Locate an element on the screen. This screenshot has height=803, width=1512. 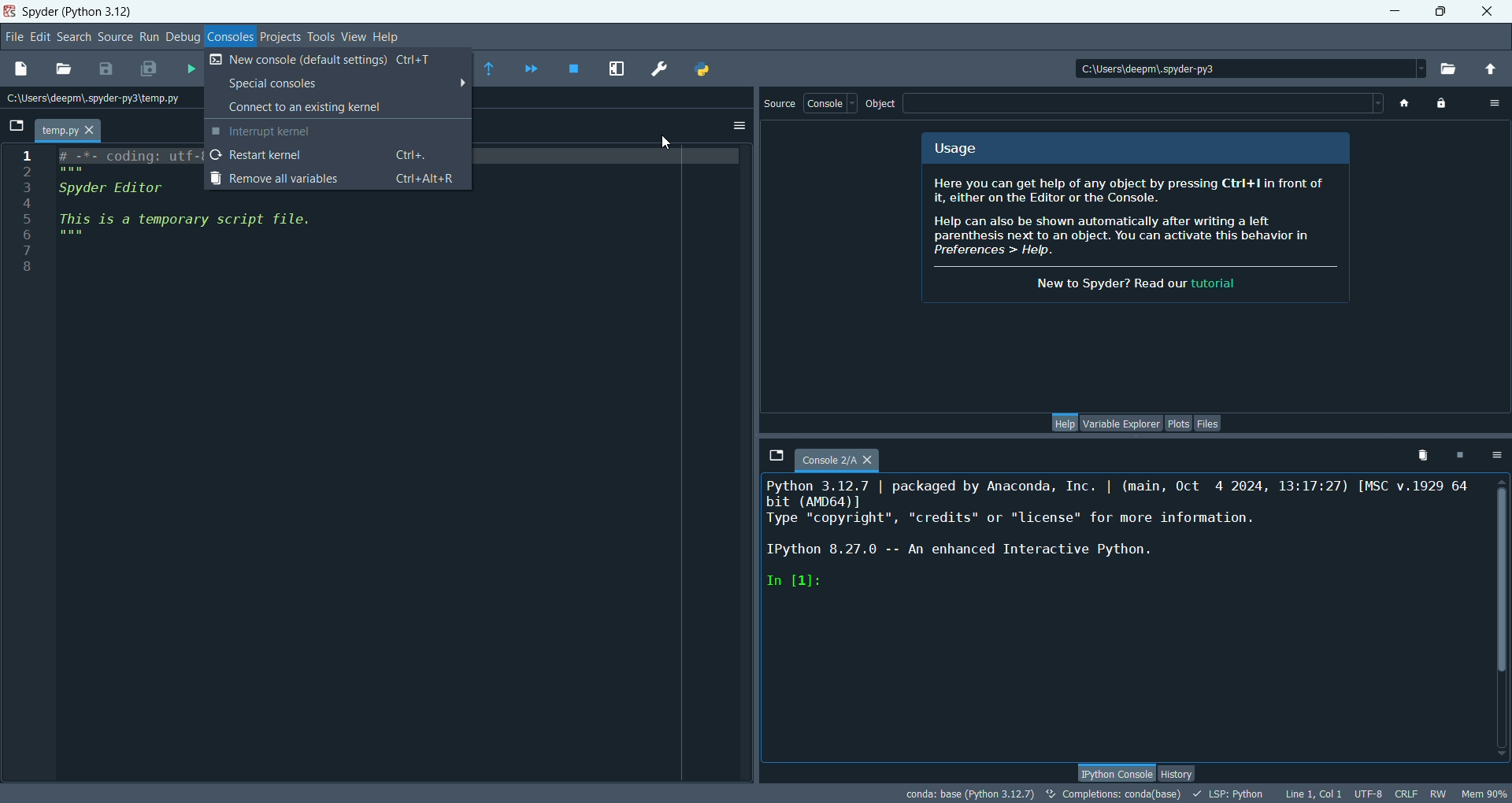
RW is located at coordinates (1443, 794).